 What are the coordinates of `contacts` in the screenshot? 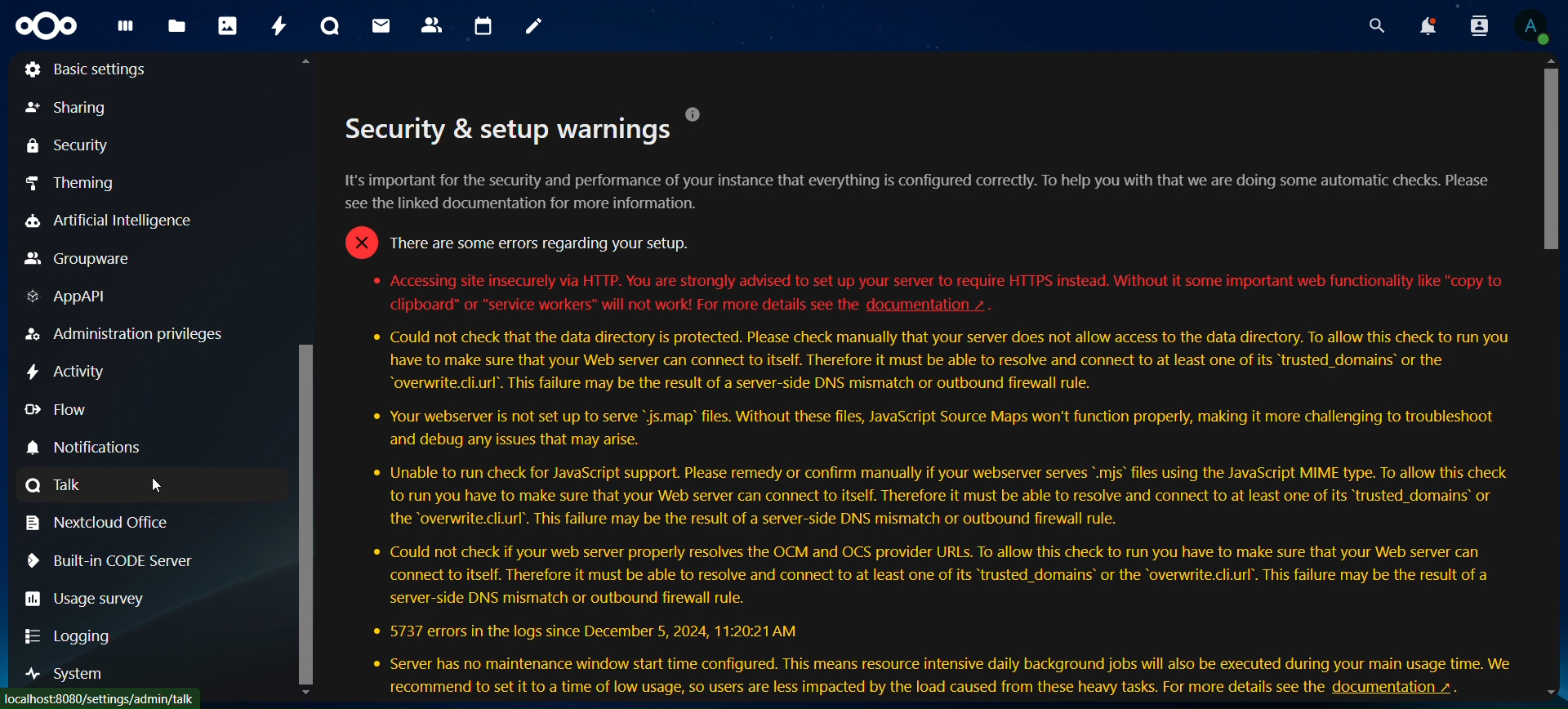 It's located at (432, 26).